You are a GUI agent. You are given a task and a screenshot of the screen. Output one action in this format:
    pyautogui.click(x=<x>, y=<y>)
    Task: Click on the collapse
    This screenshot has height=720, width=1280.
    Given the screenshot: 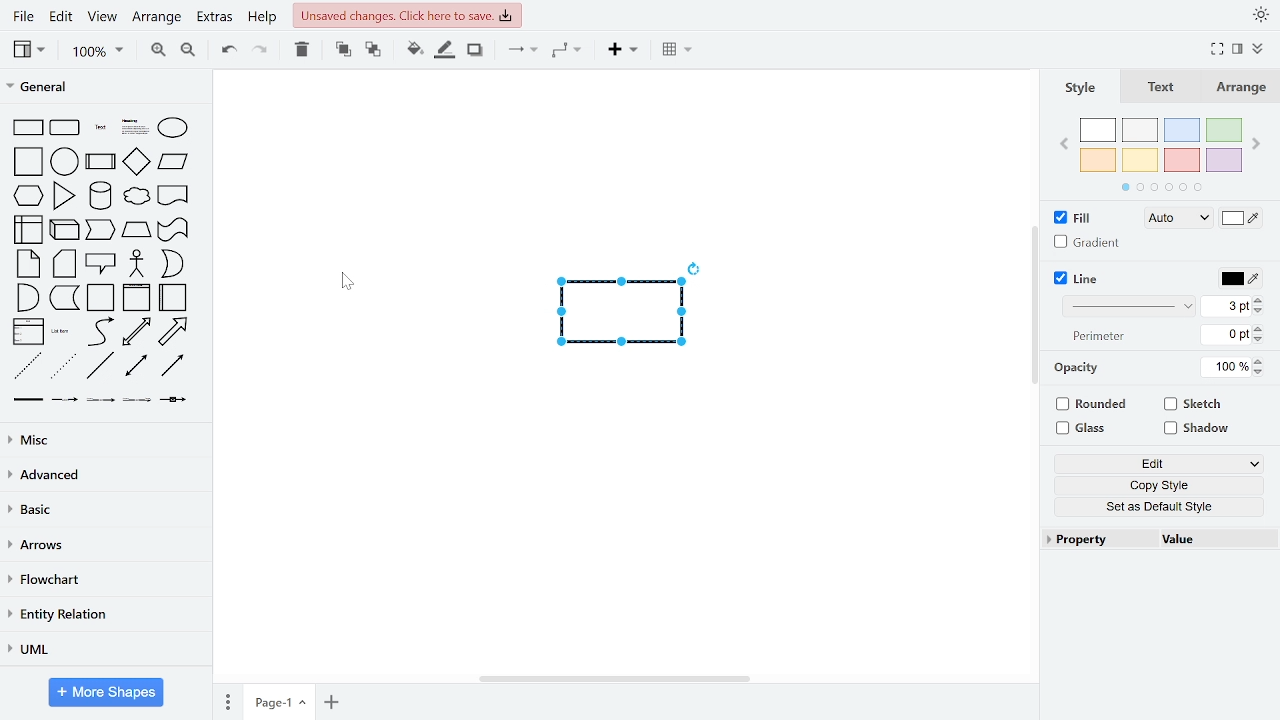 What is the action you would take?
    pyautogui.click(x=1258, y=50)
    